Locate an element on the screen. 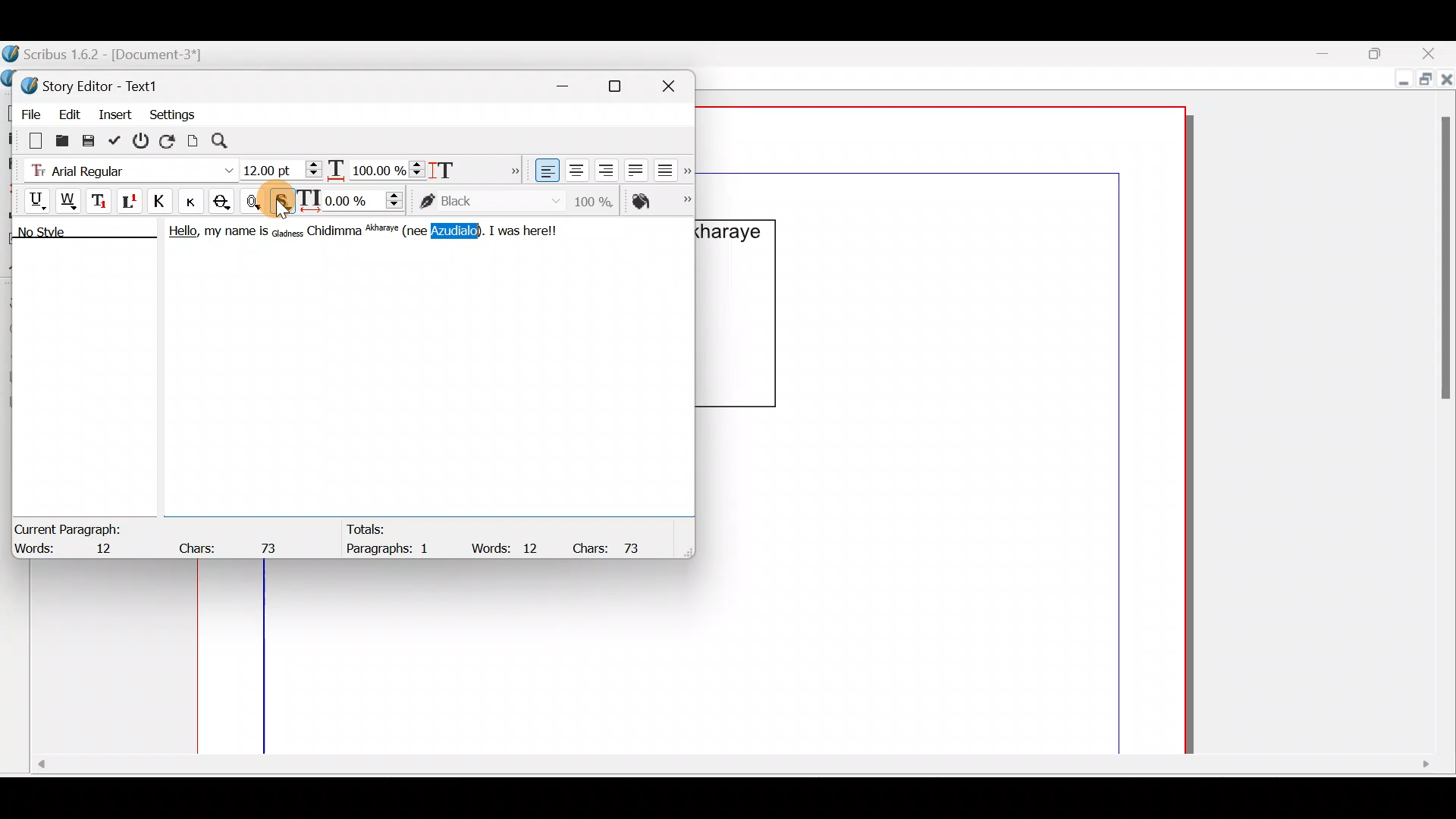 The width and height of the screenshot is (1456, 819). Maximize is located at coordinates (624, 86).